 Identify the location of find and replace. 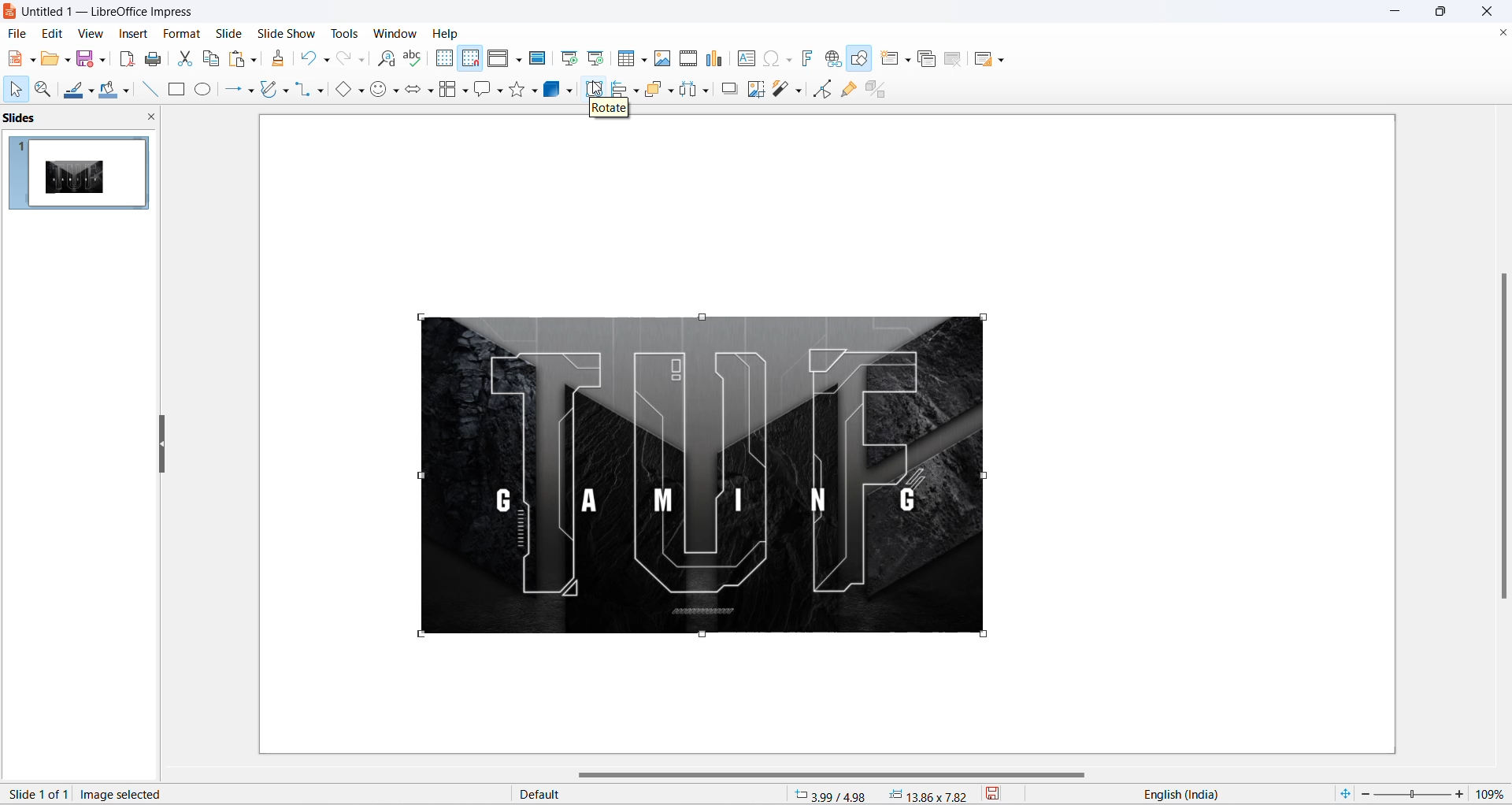
(389, 59).